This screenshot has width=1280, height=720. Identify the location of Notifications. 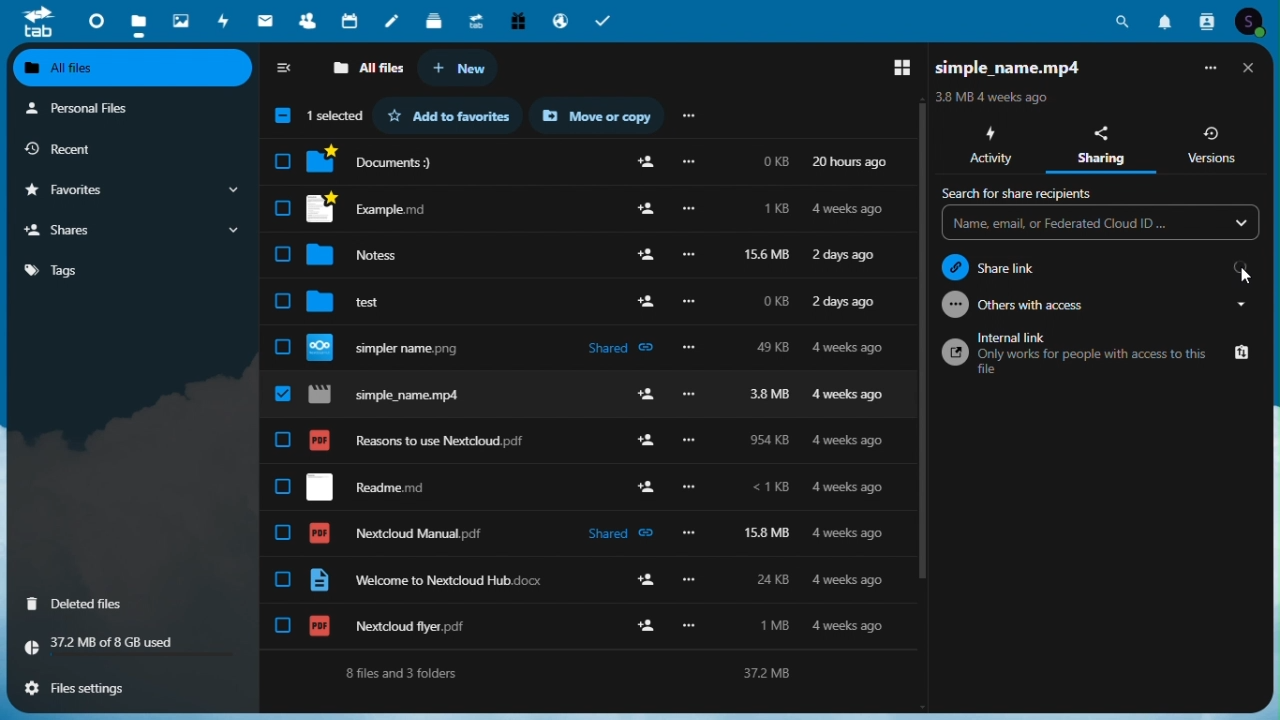
(1167, 19).